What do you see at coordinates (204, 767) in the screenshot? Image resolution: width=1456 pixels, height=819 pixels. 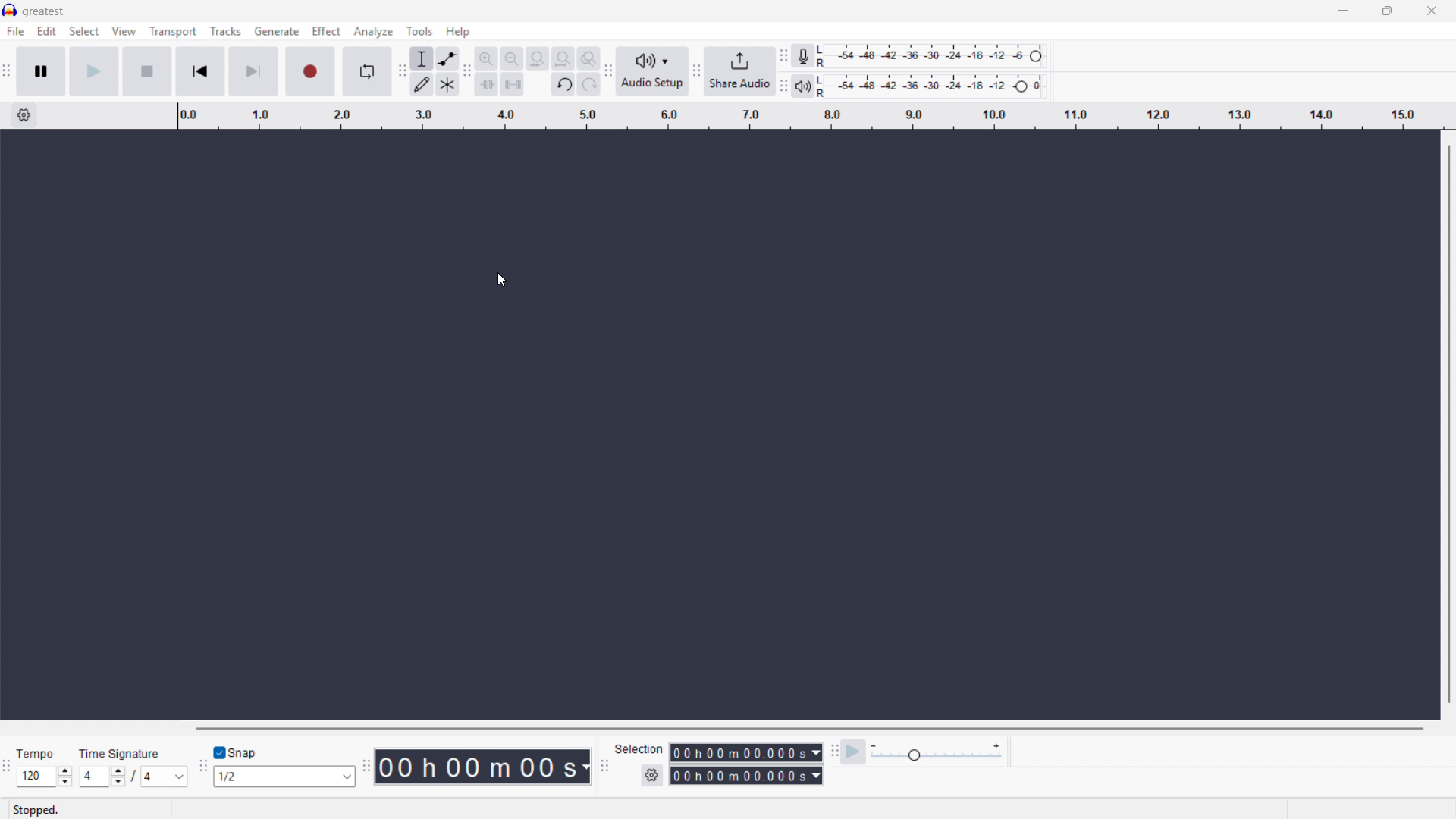 I see `Snapping toolbar ` at bounding box center [204, 767].